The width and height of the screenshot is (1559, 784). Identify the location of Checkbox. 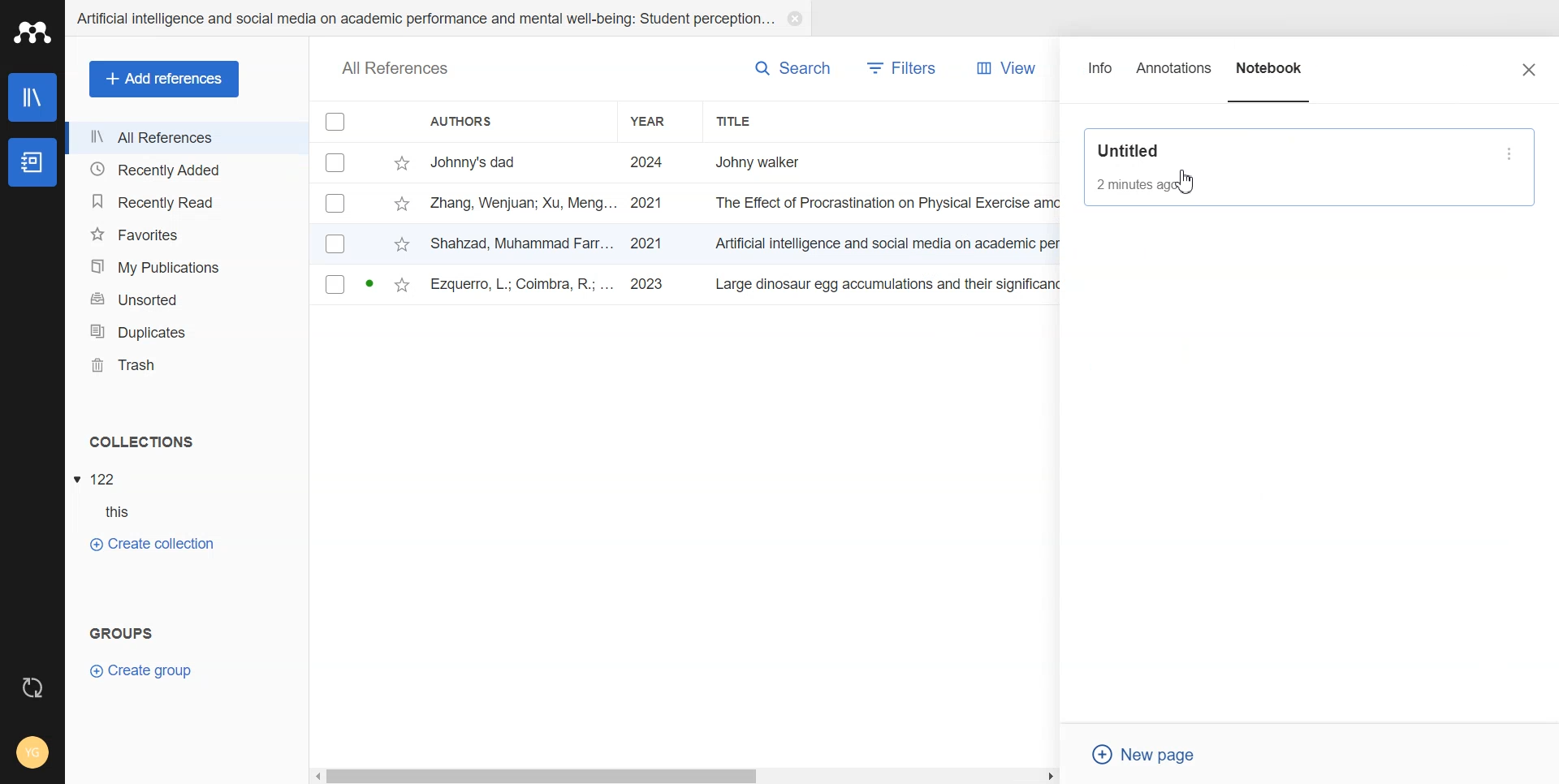
(335, 284).